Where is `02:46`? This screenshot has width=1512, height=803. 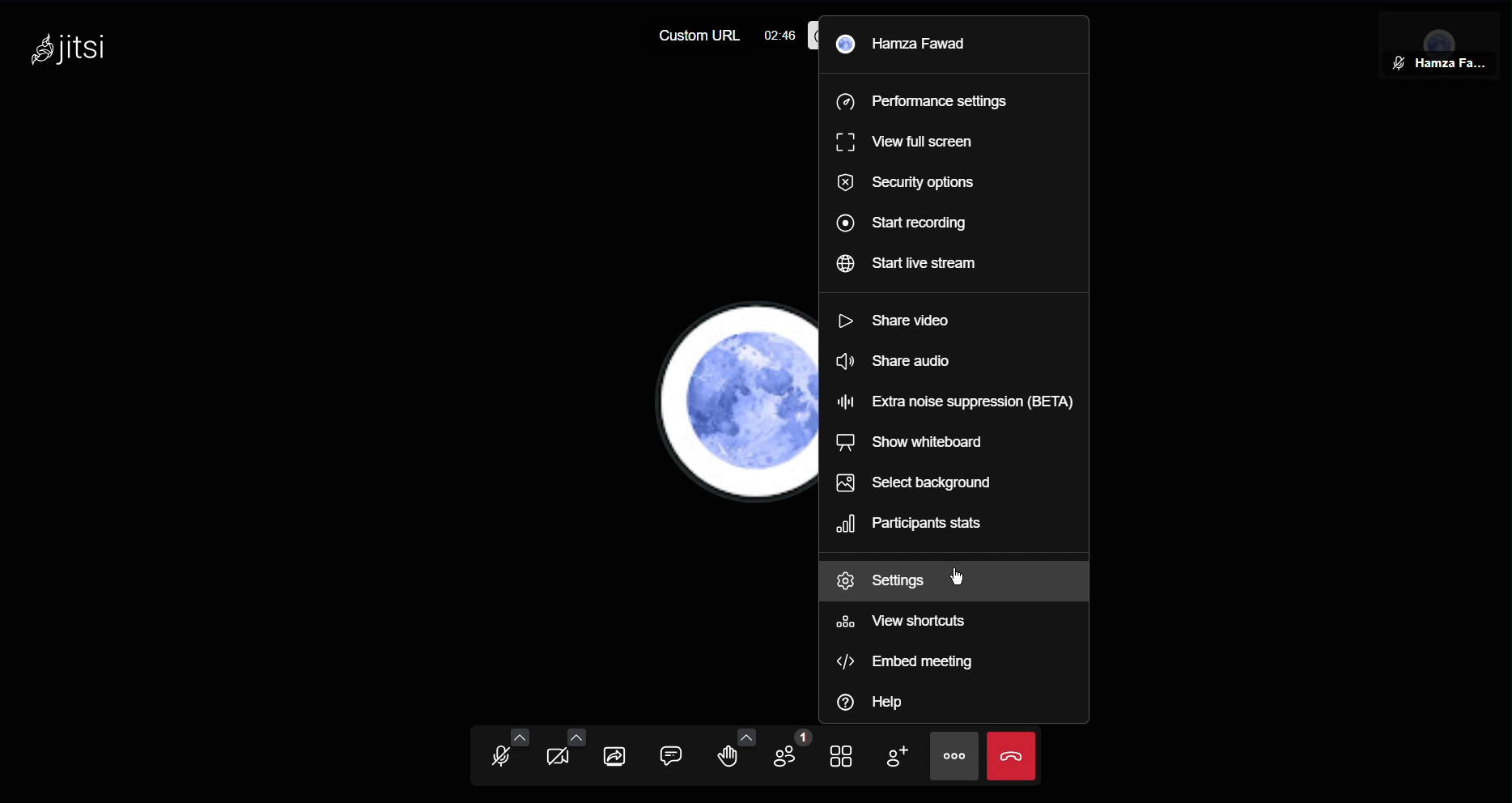 02:46 is located at coordinates (779, 32).